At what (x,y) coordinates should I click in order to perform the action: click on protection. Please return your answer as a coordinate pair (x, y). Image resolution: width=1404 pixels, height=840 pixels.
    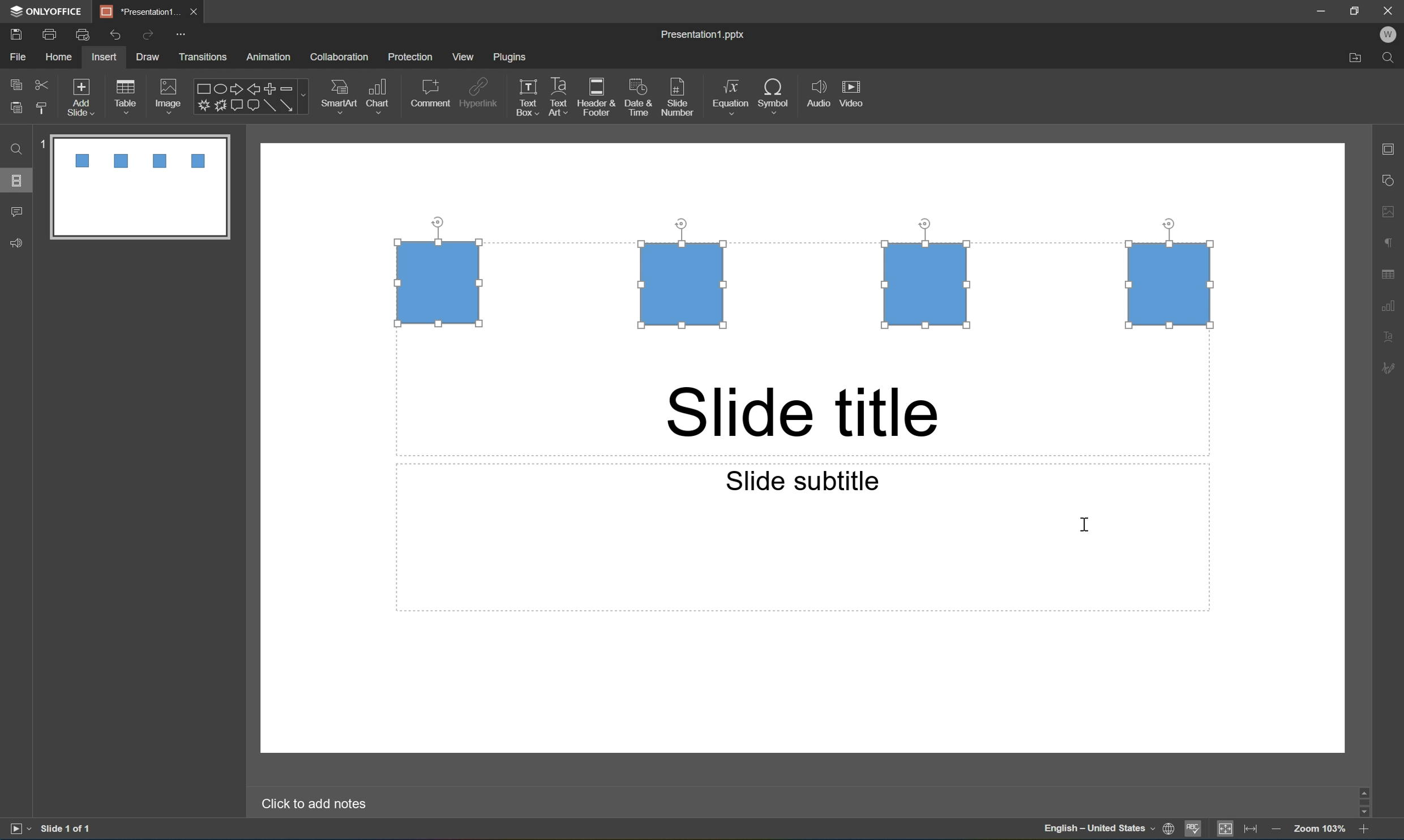
    Looking at the image, I should click on (412, 58).